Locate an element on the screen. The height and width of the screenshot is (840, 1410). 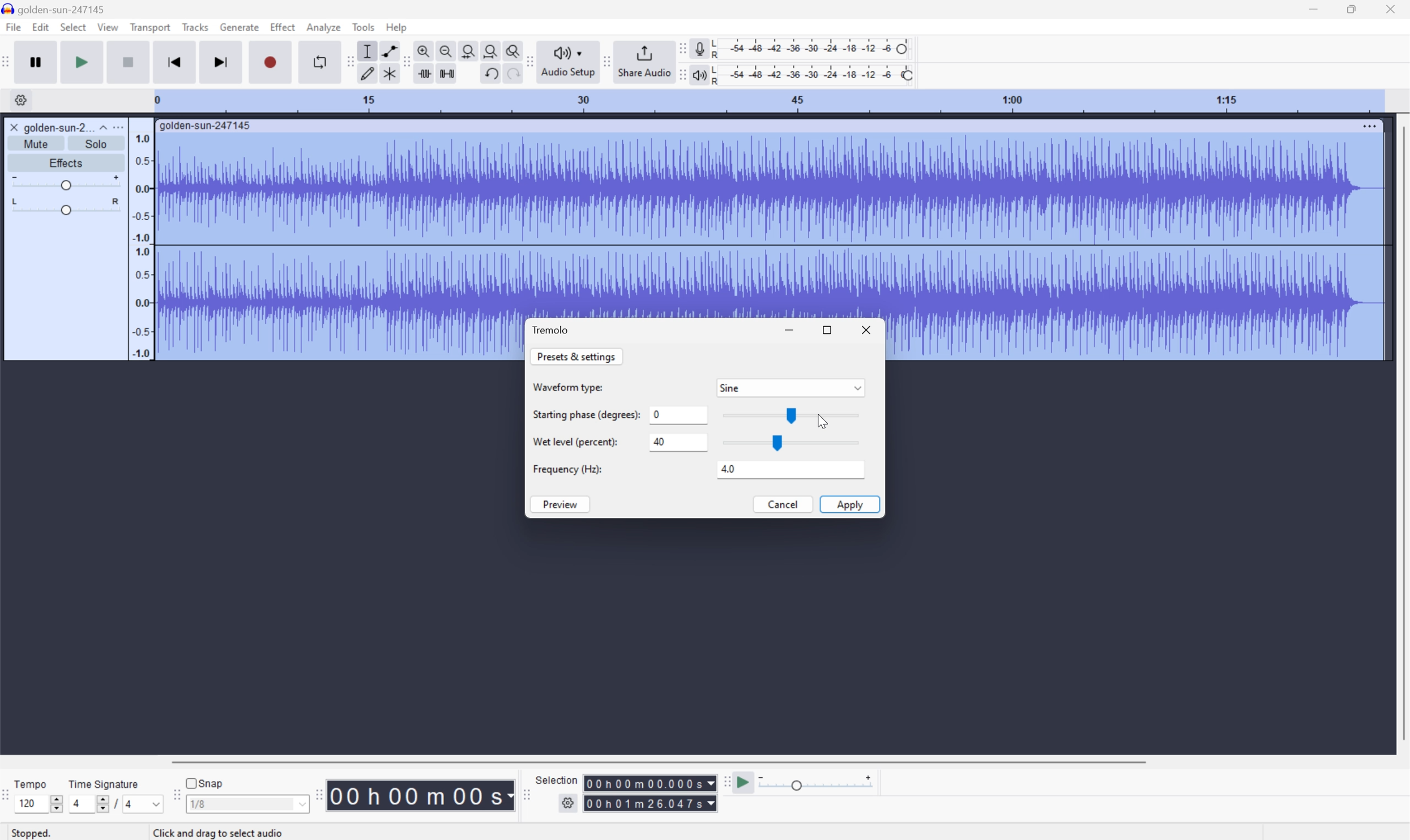
Skip to end is located at coordinates (220, 63).